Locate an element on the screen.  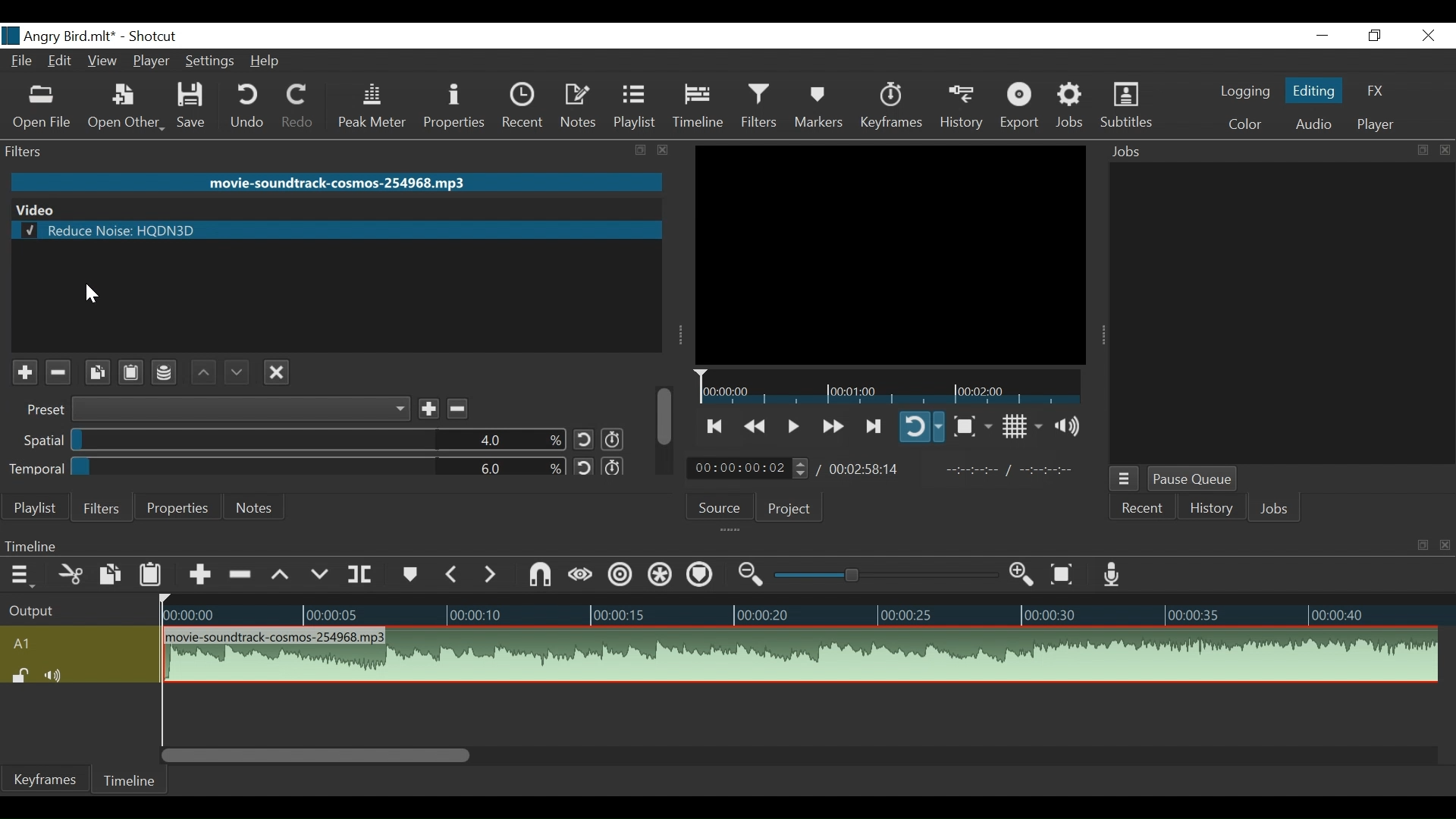
Reduce Noise: HQDN3D is located at coordinates (337, 231).